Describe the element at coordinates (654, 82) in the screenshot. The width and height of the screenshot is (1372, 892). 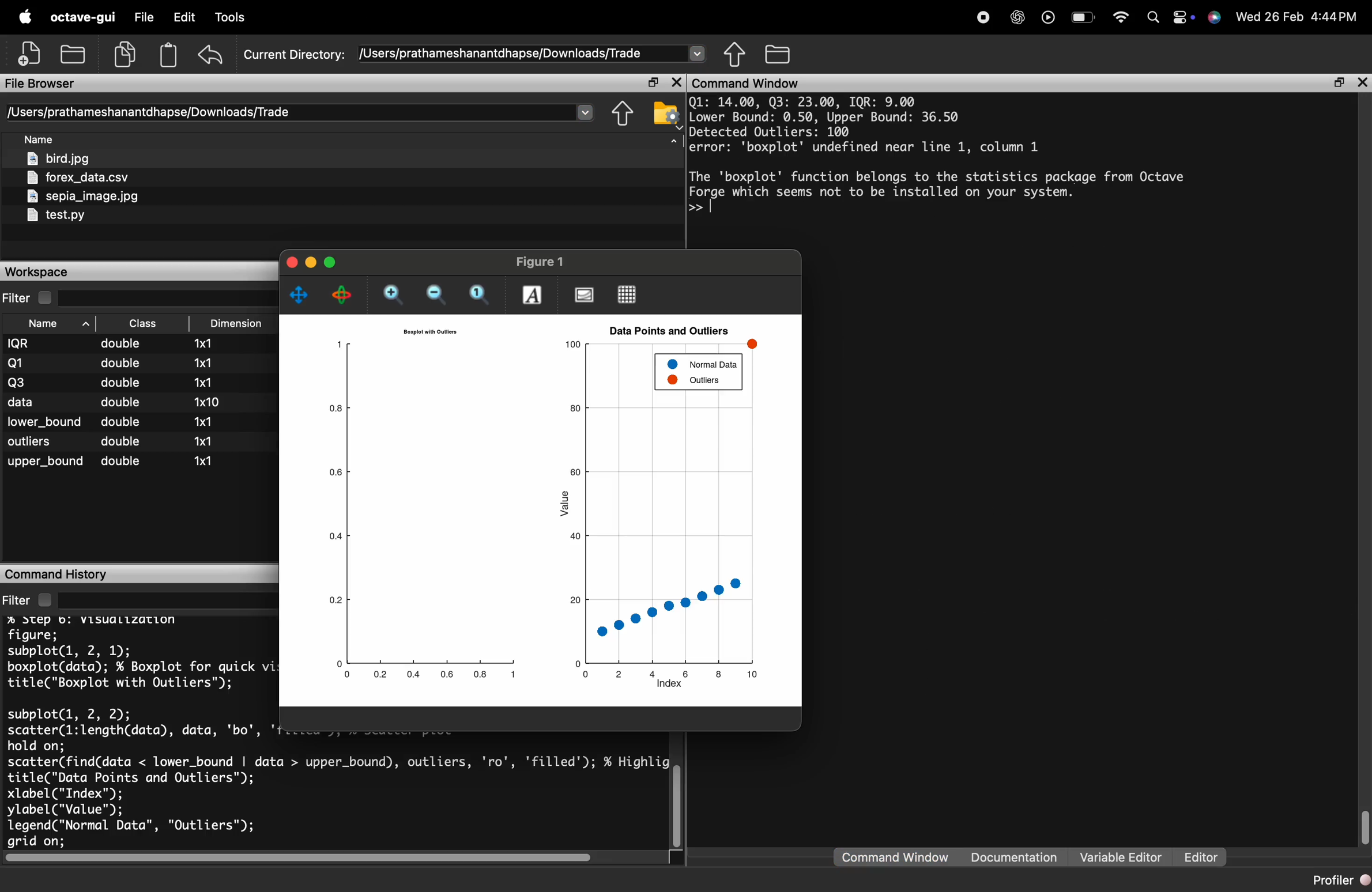
I see `open in separate window` at that location.